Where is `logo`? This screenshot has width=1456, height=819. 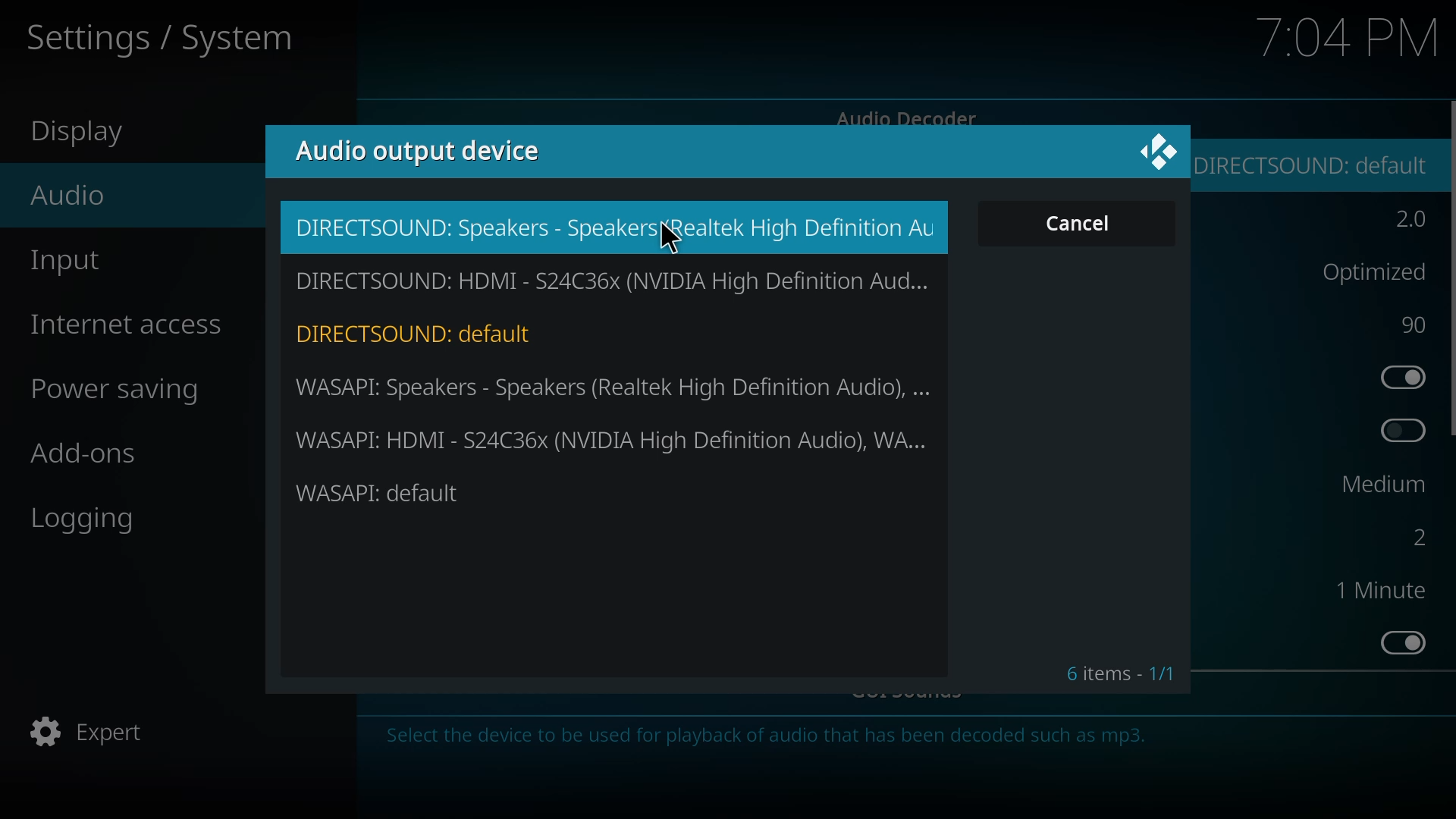
logo is located at coordinates (1157, 149).